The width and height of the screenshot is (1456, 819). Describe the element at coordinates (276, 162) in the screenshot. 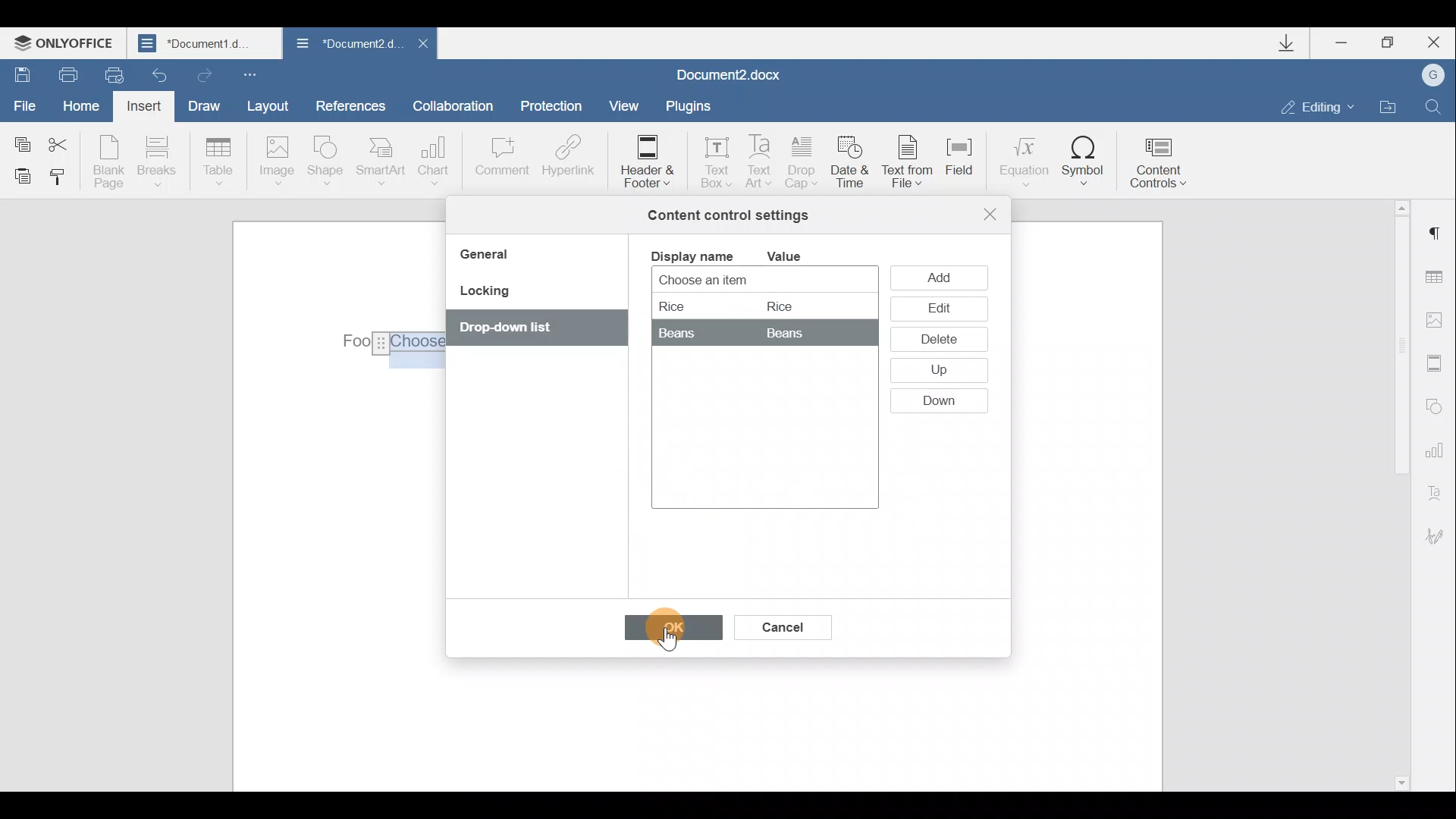

I see `Image` at that location.